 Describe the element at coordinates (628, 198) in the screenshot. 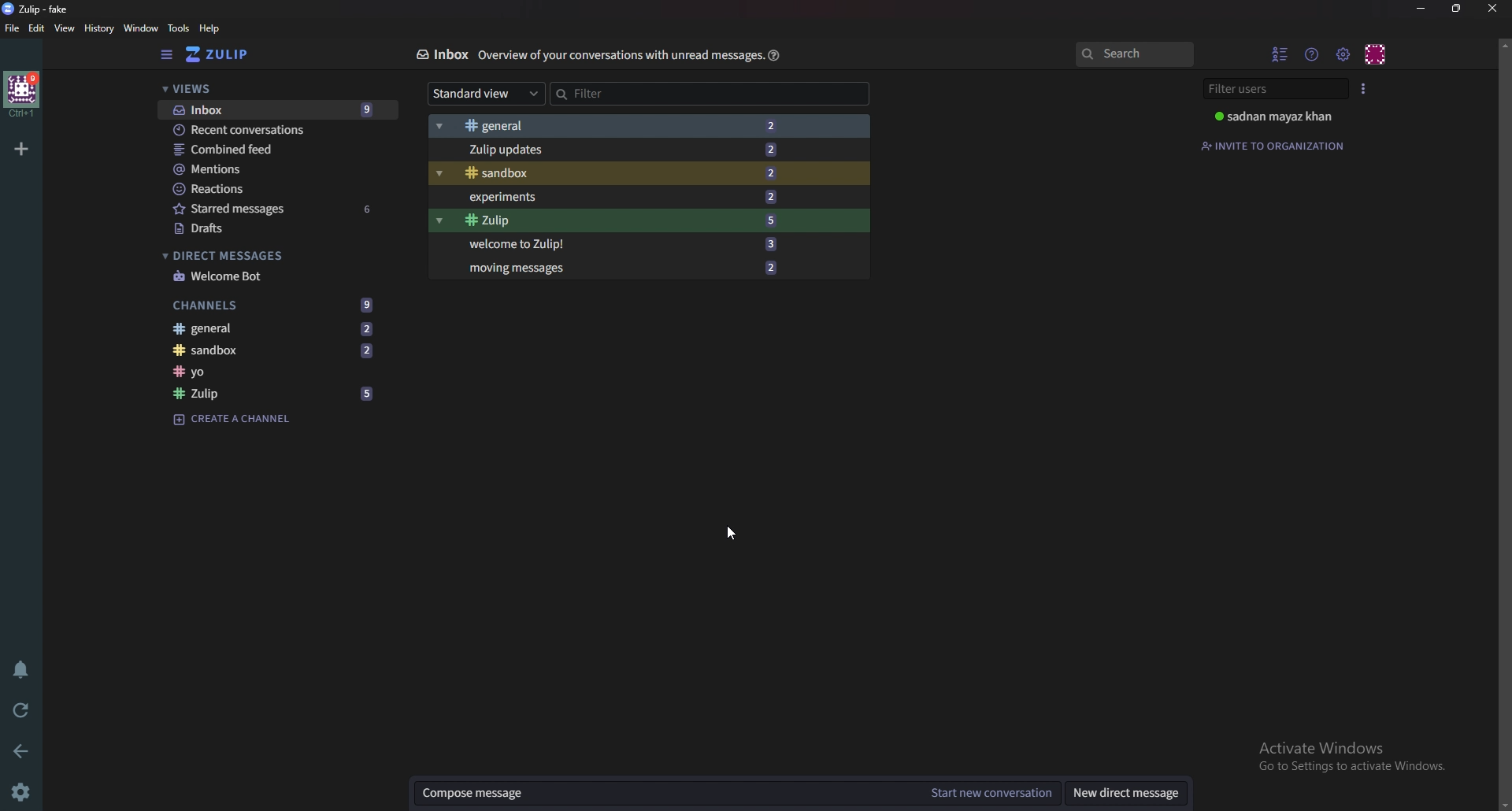

I see `Experiments` at that location.